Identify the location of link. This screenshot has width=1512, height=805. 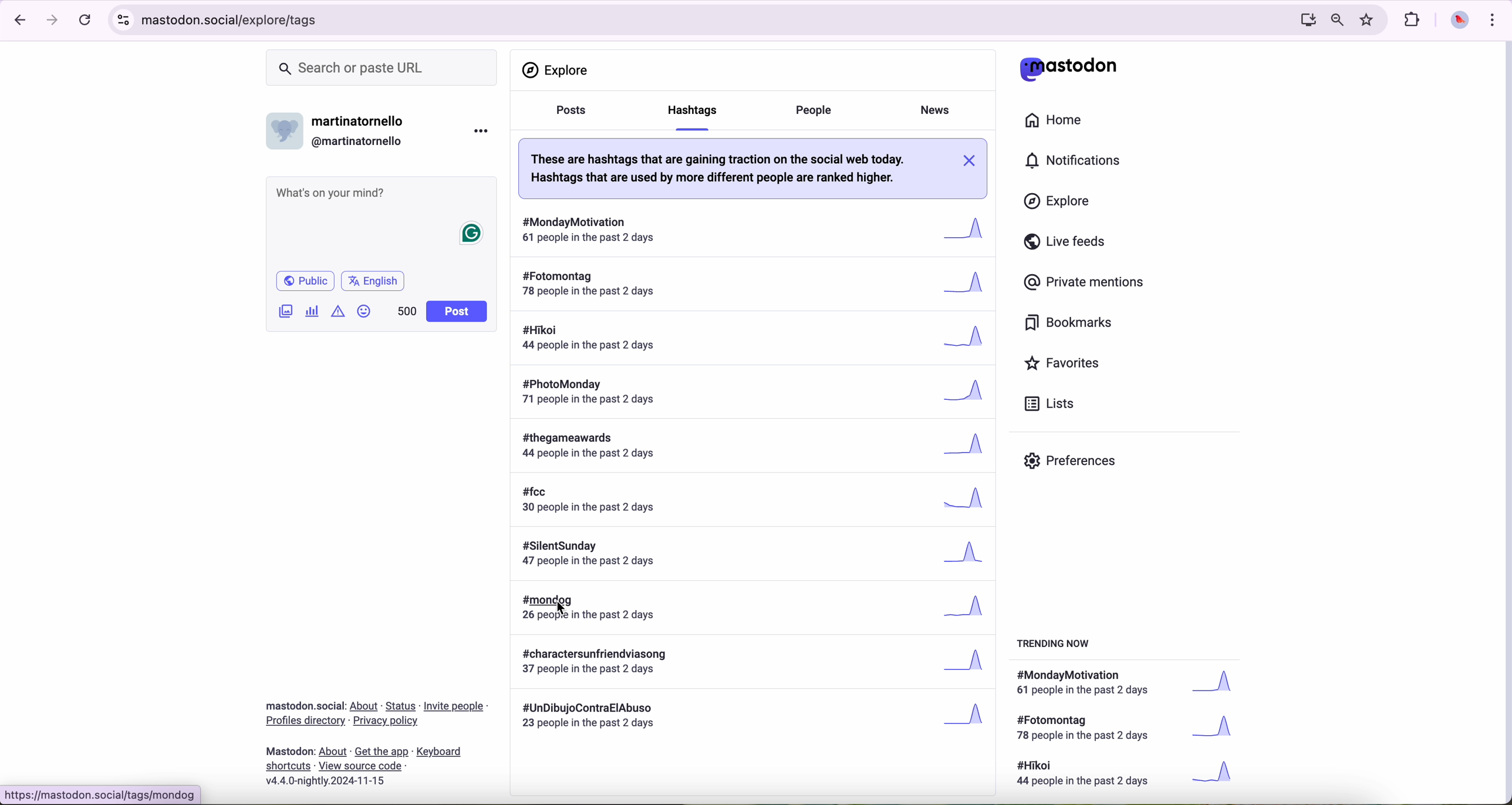
(455, 708).